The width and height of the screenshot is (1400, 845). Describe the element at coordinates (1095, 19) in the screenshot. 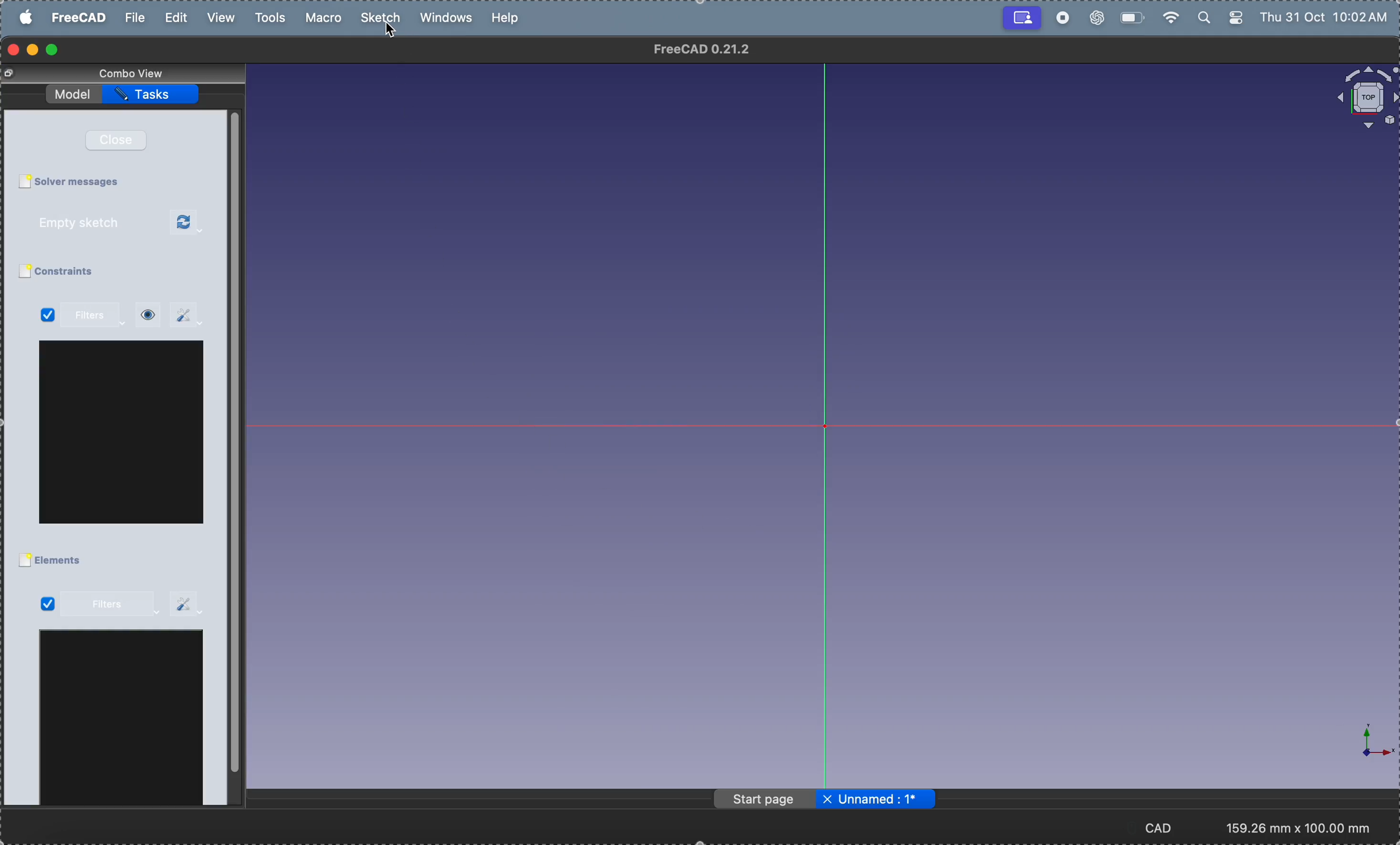

I see `chatgpt` at that location.